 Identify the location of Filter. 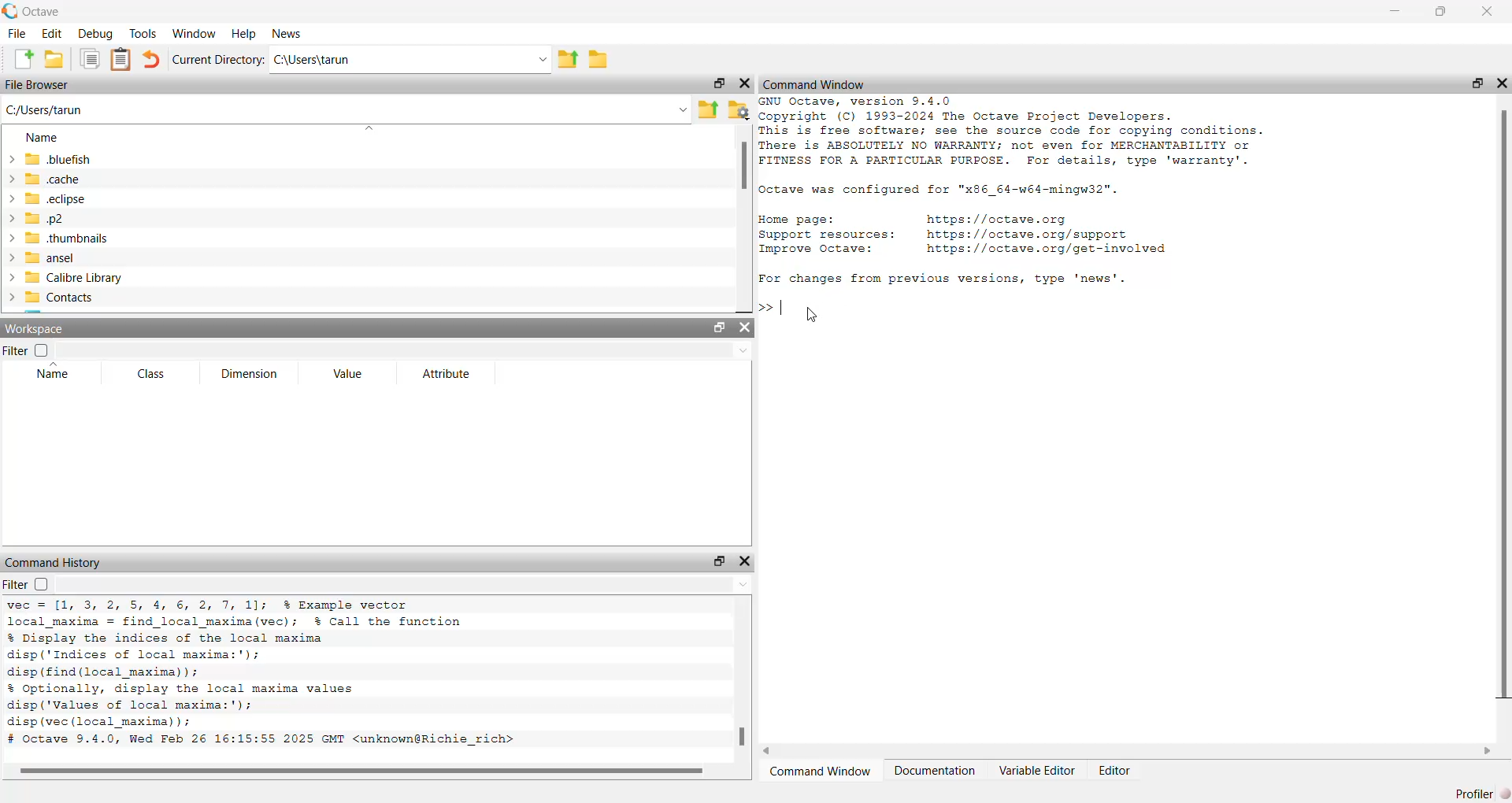
(27, 350).